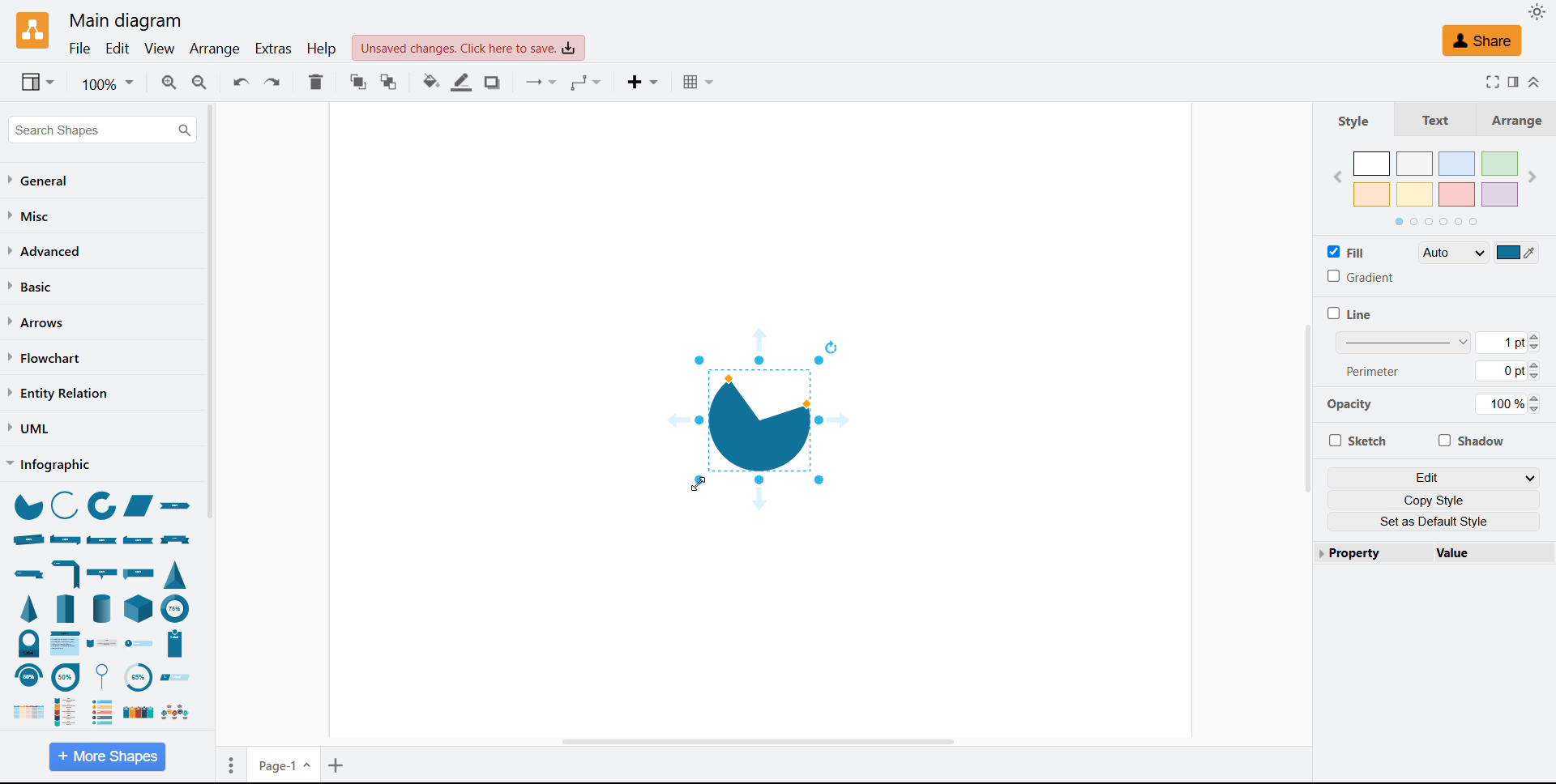 The image size is (1556, 784). Describe the element at coordinates (32, 608) in the screenshot. I see `pyramid` at that location.